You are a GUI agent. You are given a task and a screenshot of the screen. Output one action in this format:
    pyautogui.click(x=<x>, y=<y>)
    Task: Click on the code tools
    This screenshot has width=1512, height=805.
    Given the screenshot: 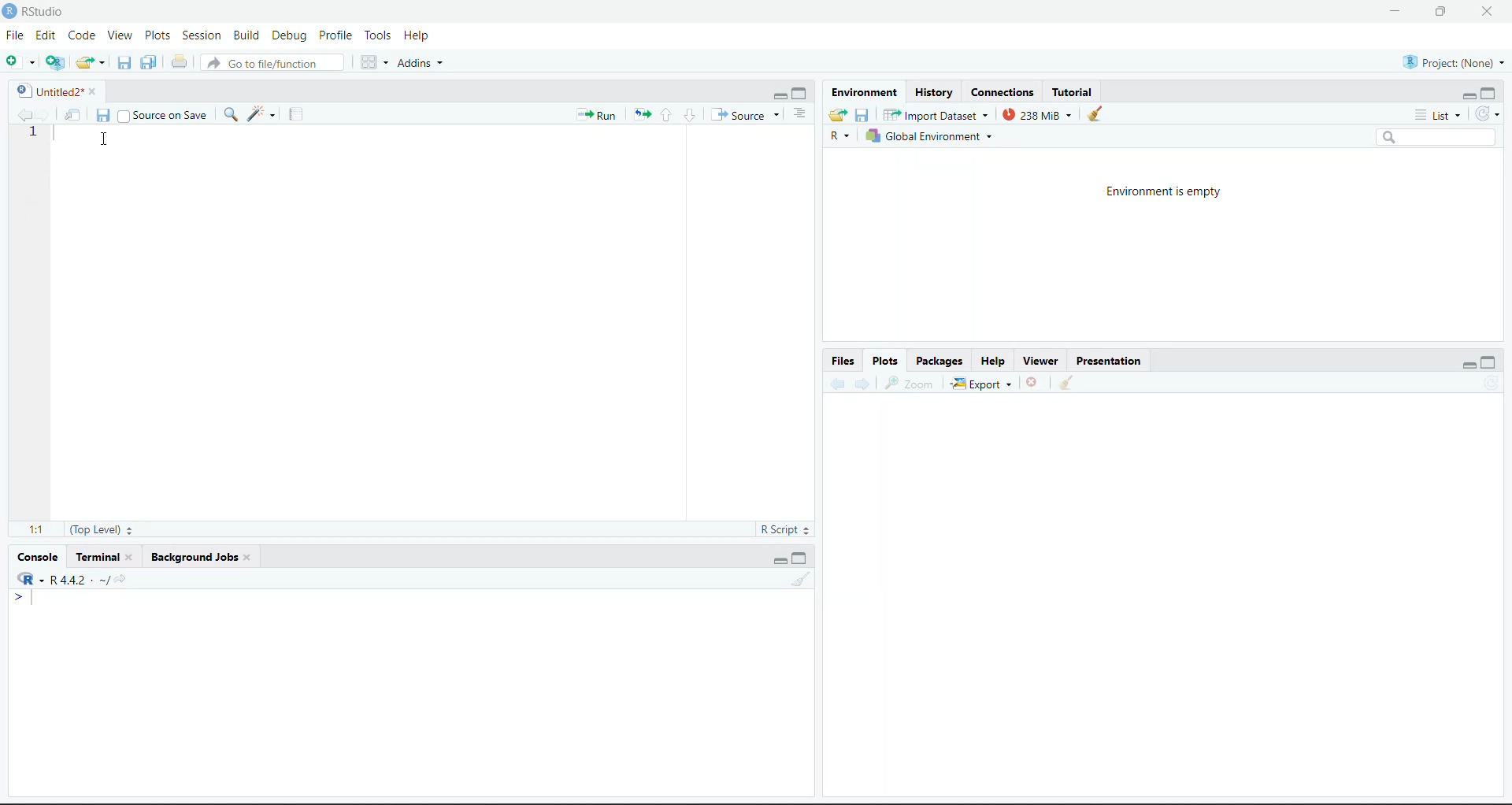 What is the action you would take?
    pyautogui.click(x=262, y=114)
    